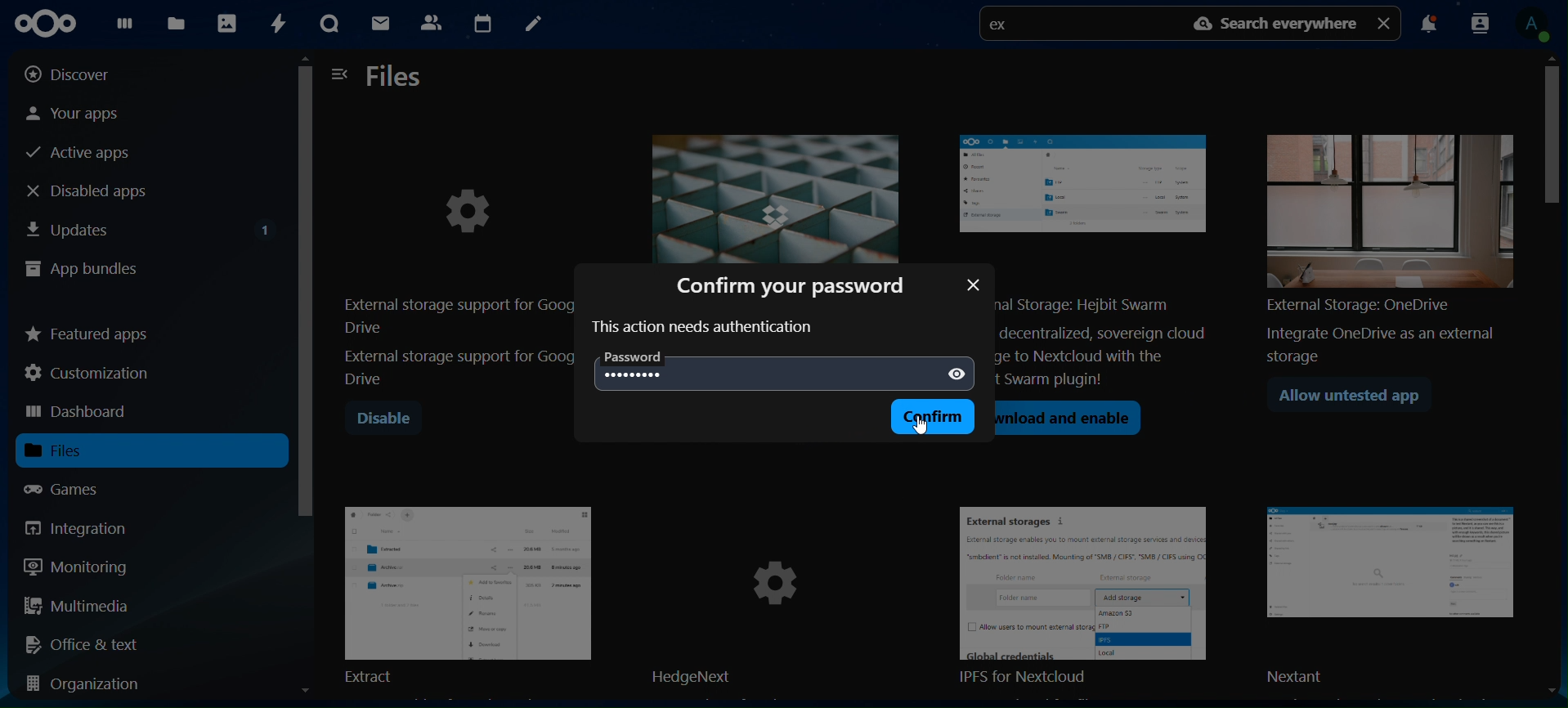  Describe the element at coordinates (431, 21) in the screenshot. I see `contacts` at that location.